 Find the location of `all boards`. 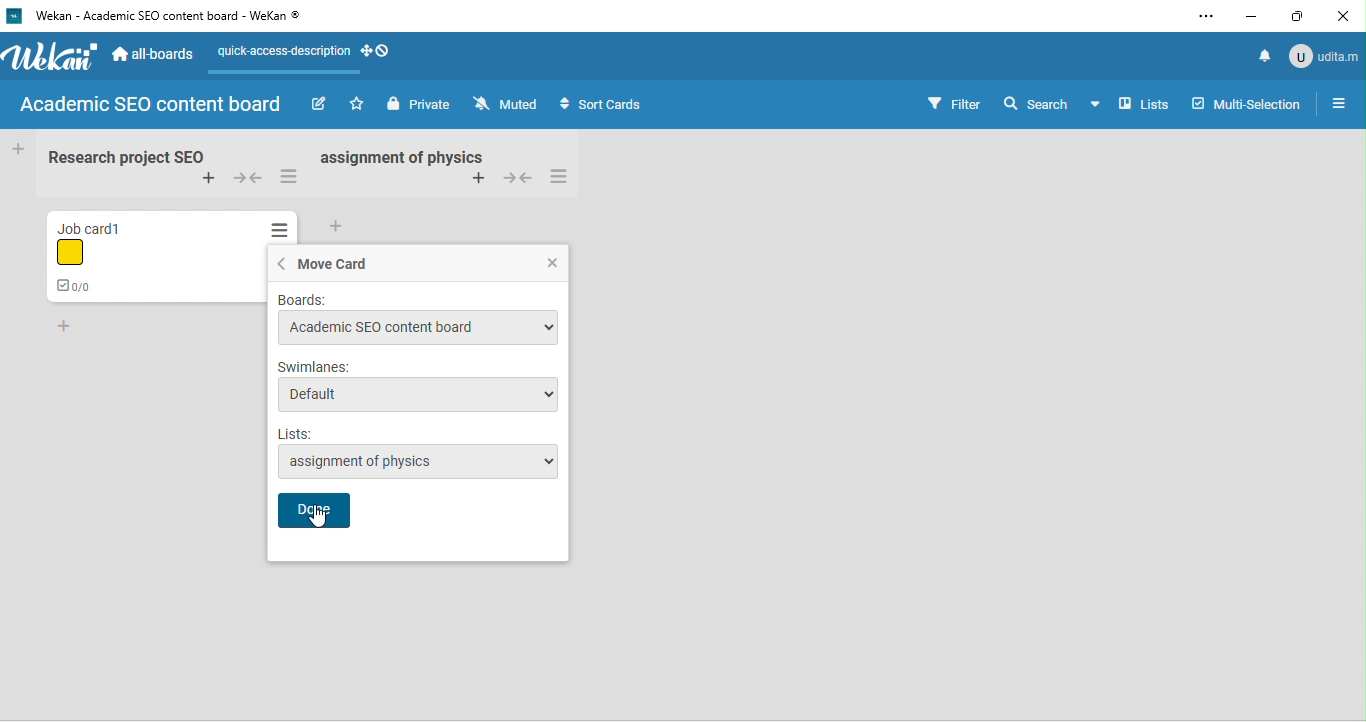

all boards is located at coordinates (161, 55).